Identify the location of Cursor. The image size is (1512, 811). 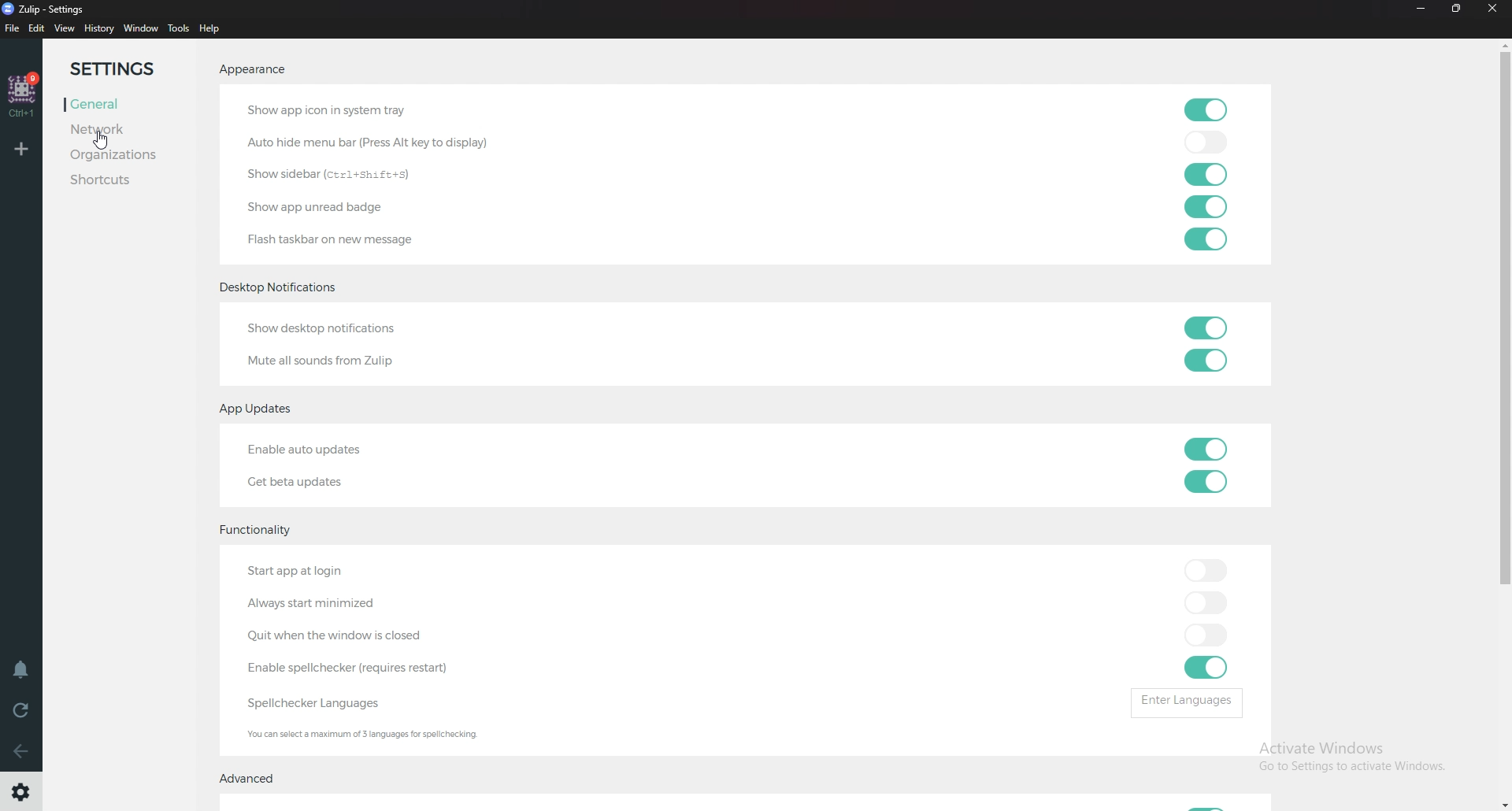
(106, 143).